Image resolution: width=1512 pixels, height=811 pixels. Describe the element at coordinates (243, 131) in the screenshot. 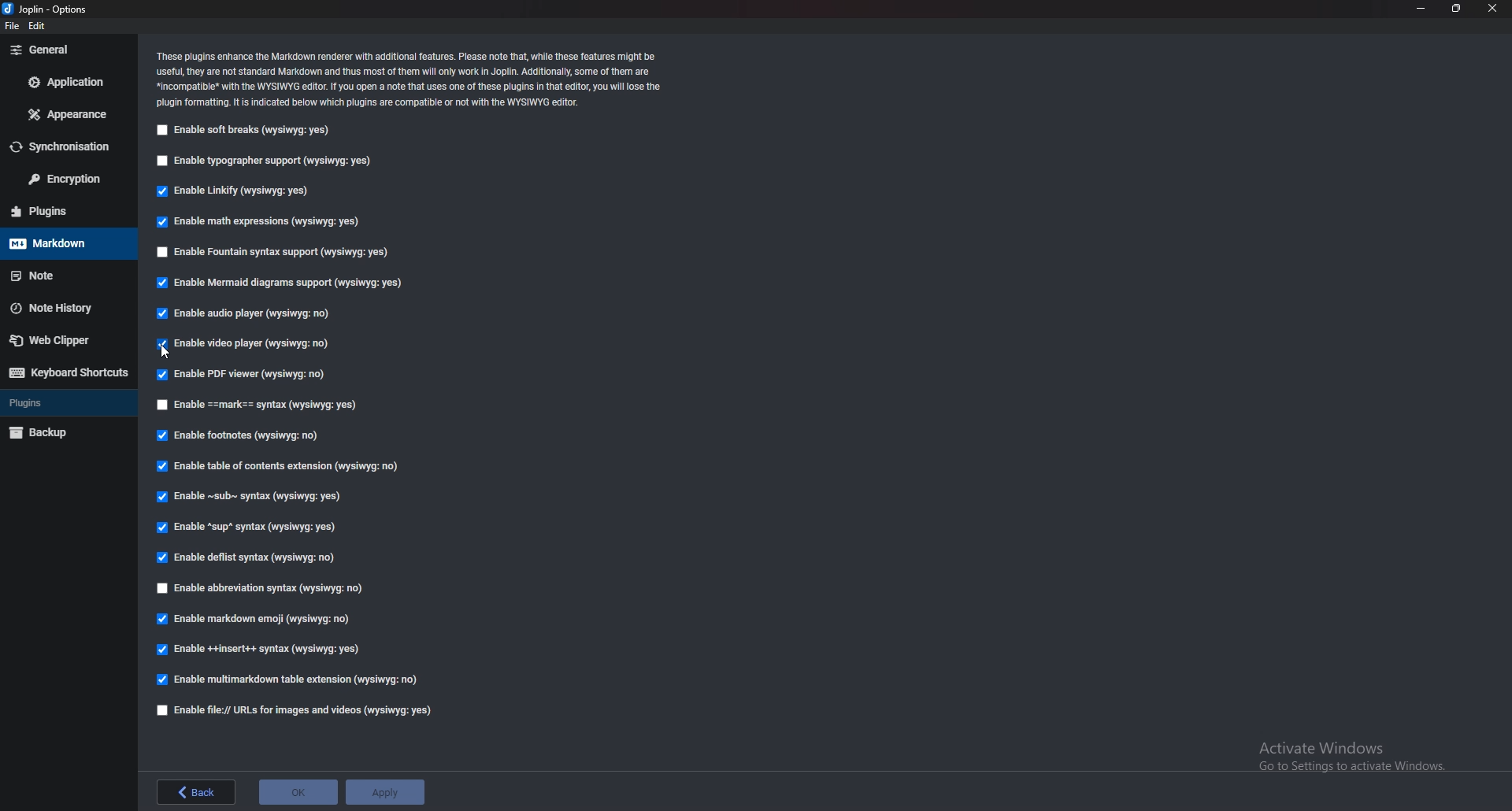

I see `Enable soft breaks (wysiqyg:yes)` at that location.